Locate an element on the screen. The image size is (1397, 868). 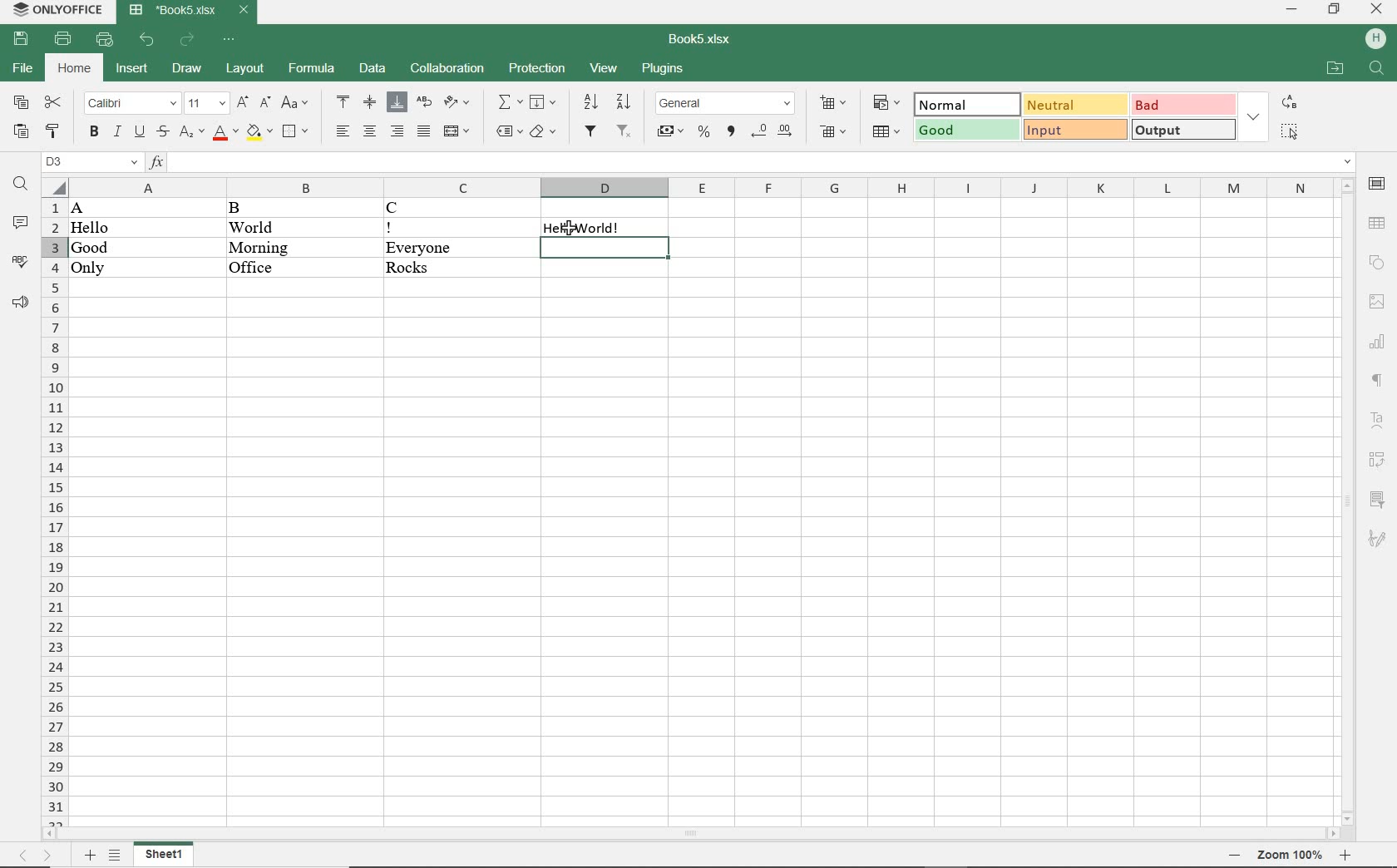
SUPPORT & FEEDBACK is located at coordinates (19, 301).